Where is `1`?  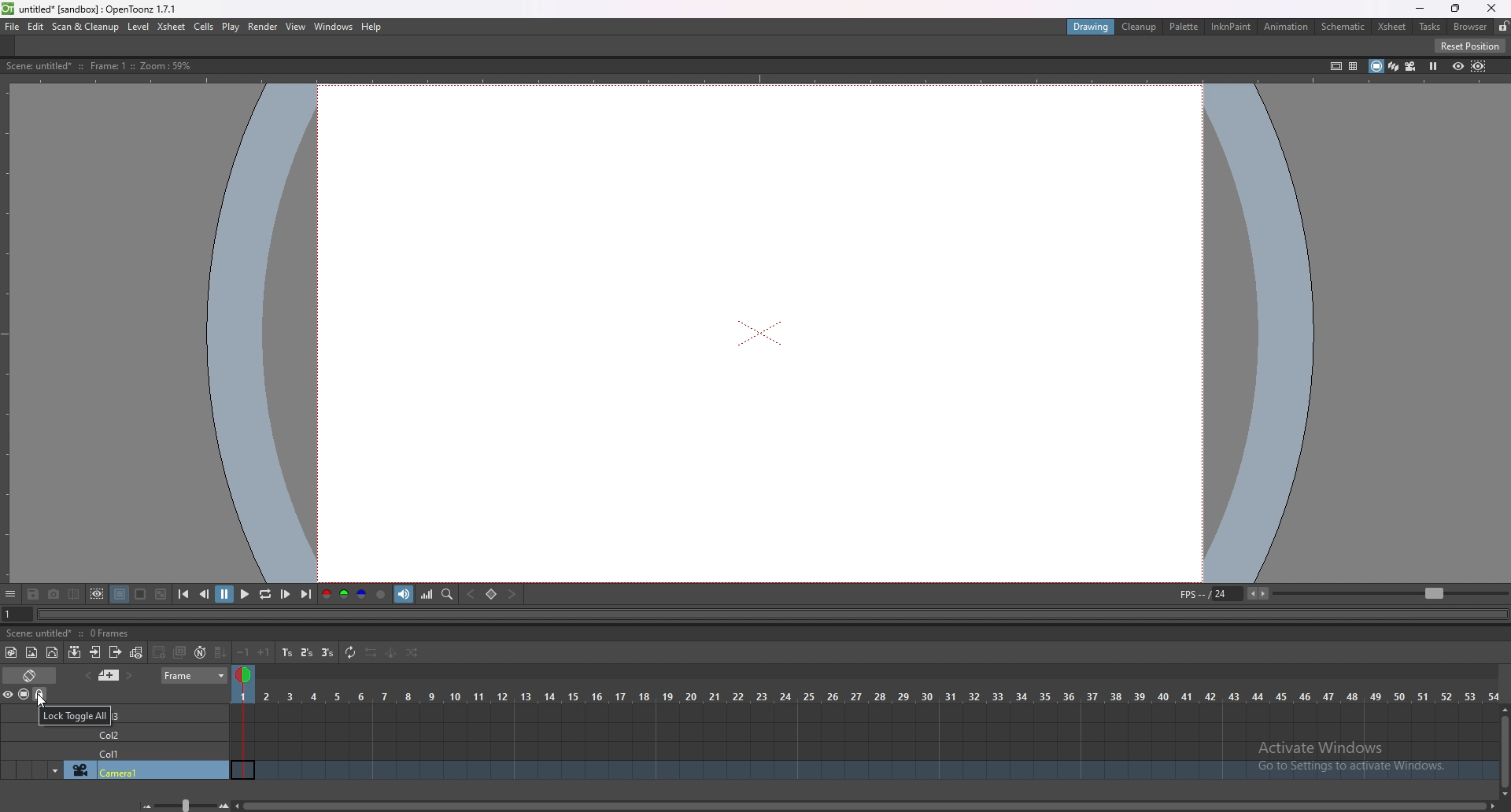
1 is located at coordinates (9, 615).